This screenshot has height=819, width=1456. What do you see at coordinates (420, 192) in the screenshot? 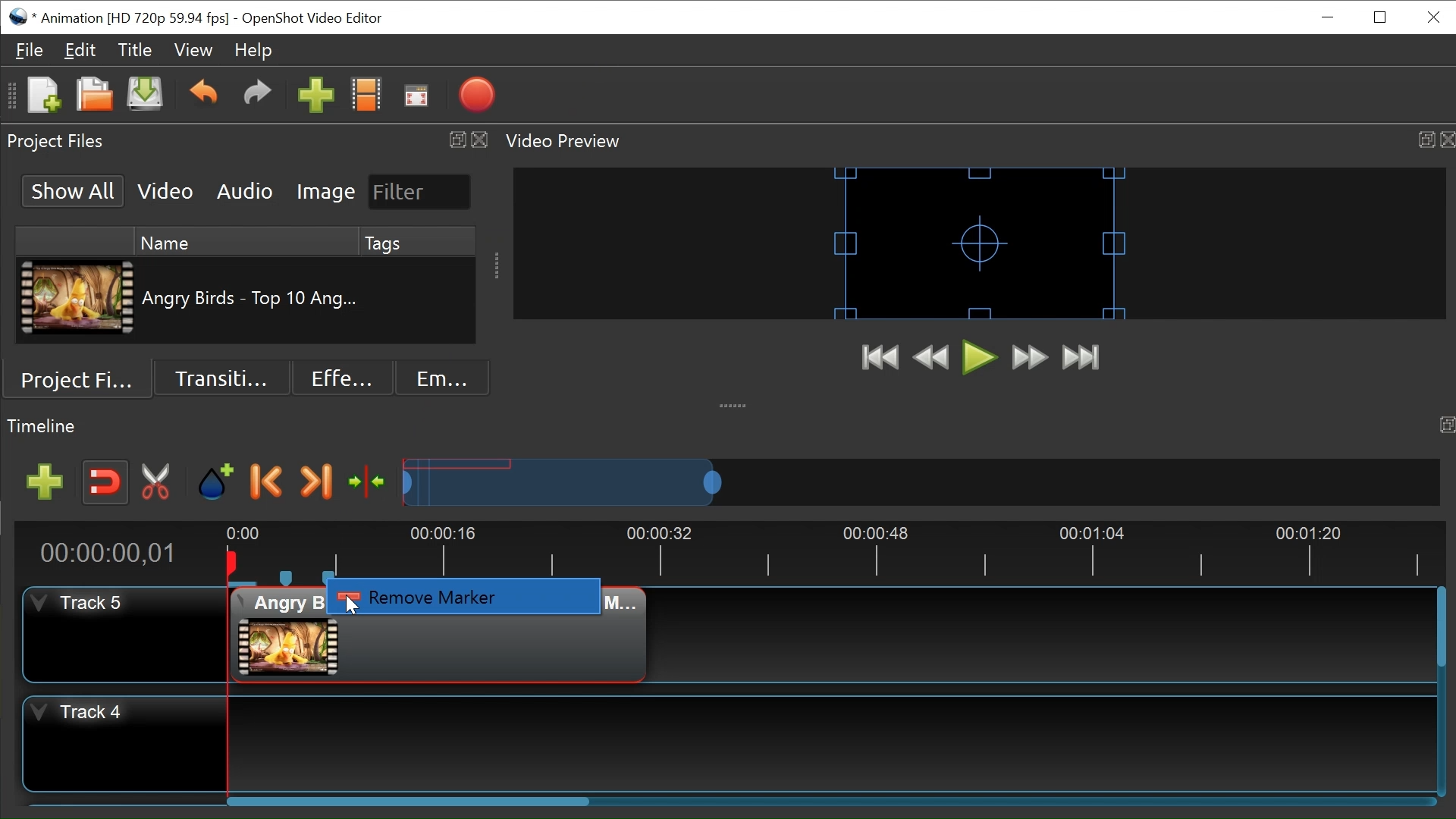
I see `Filter` at bounding box center [420, 192].